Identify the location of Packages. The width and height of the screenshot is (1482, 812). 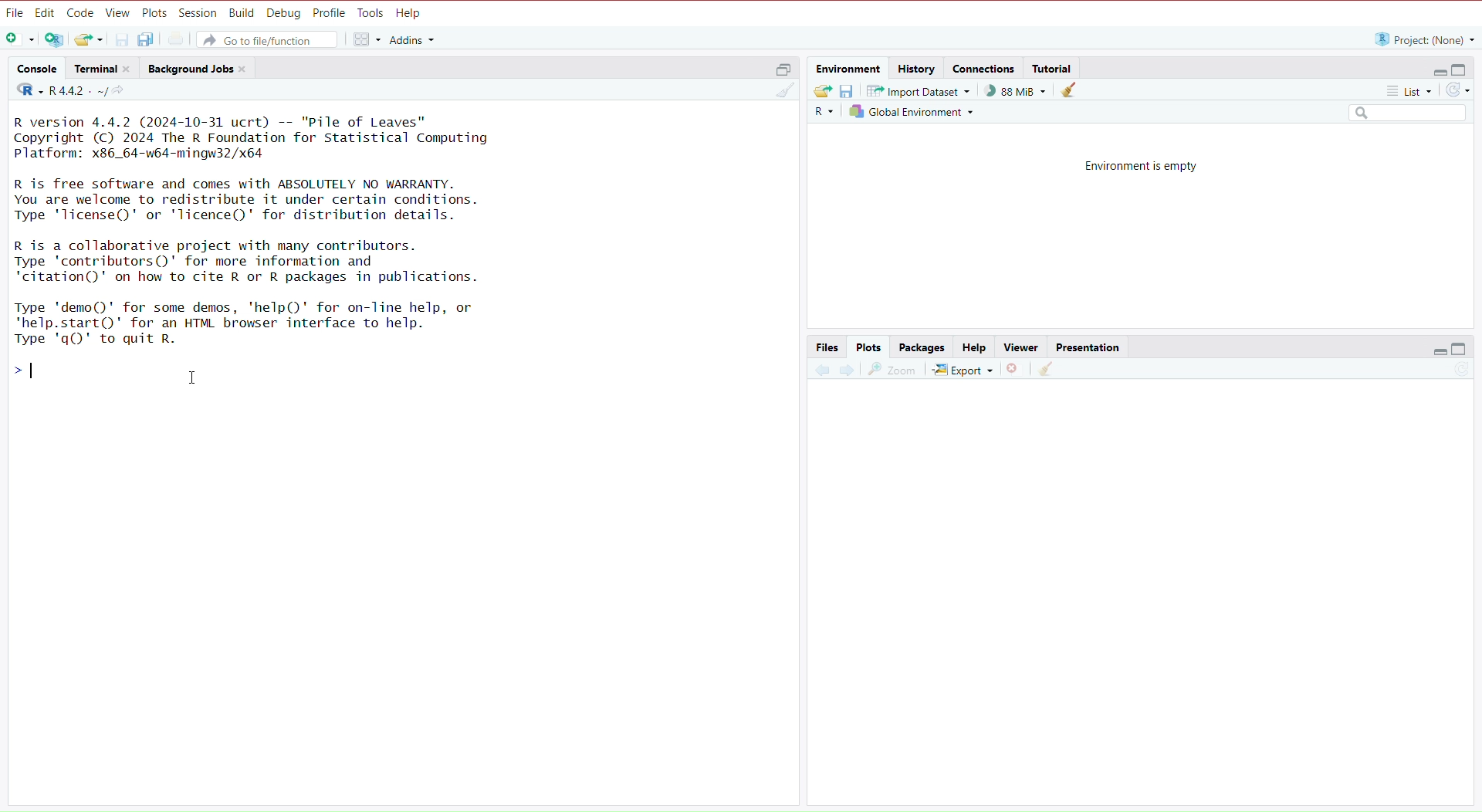
(921, 347).